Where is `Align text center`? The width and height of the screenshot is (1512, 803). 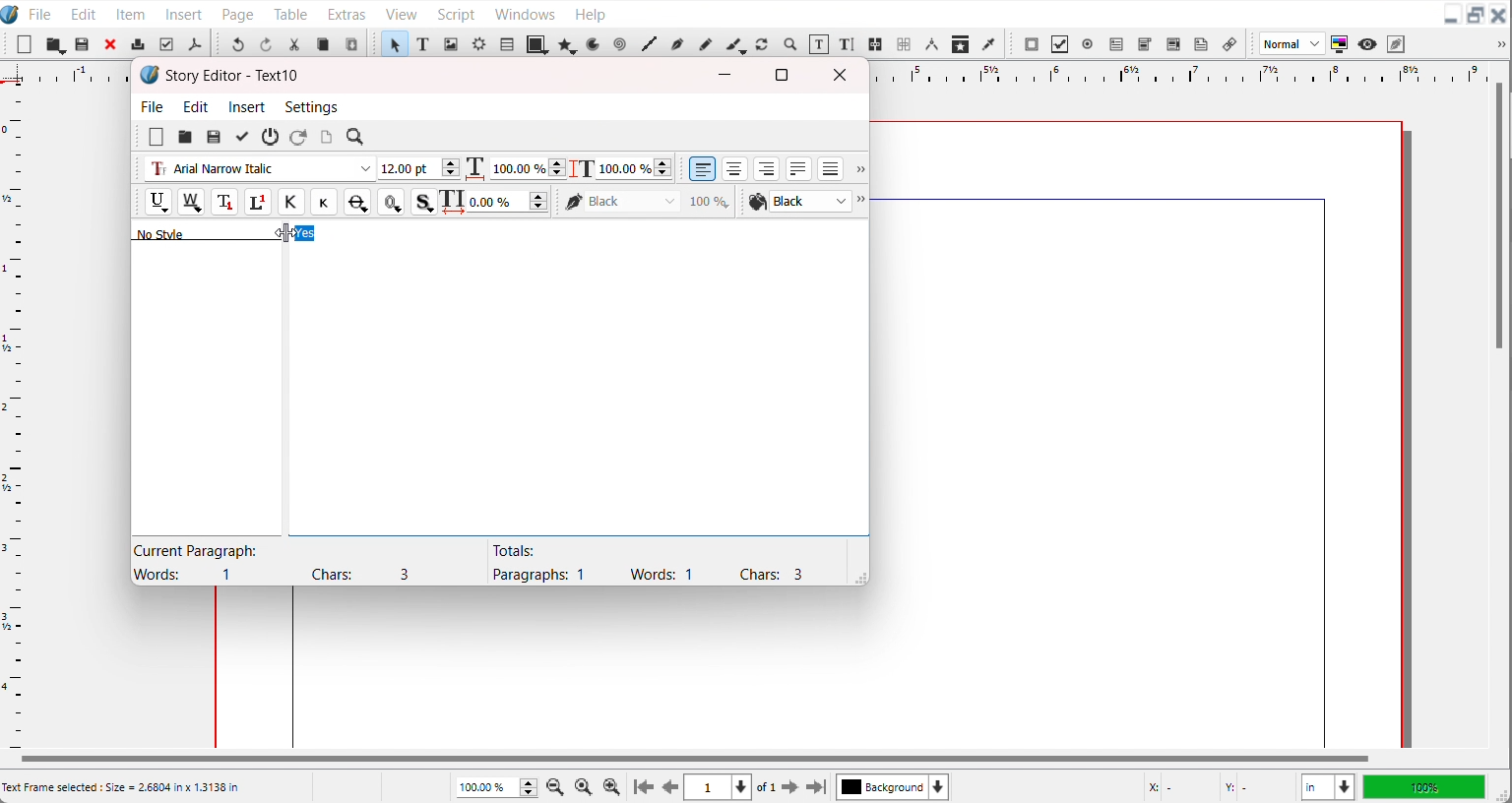 Align text center is located at coordinates (735, 168).